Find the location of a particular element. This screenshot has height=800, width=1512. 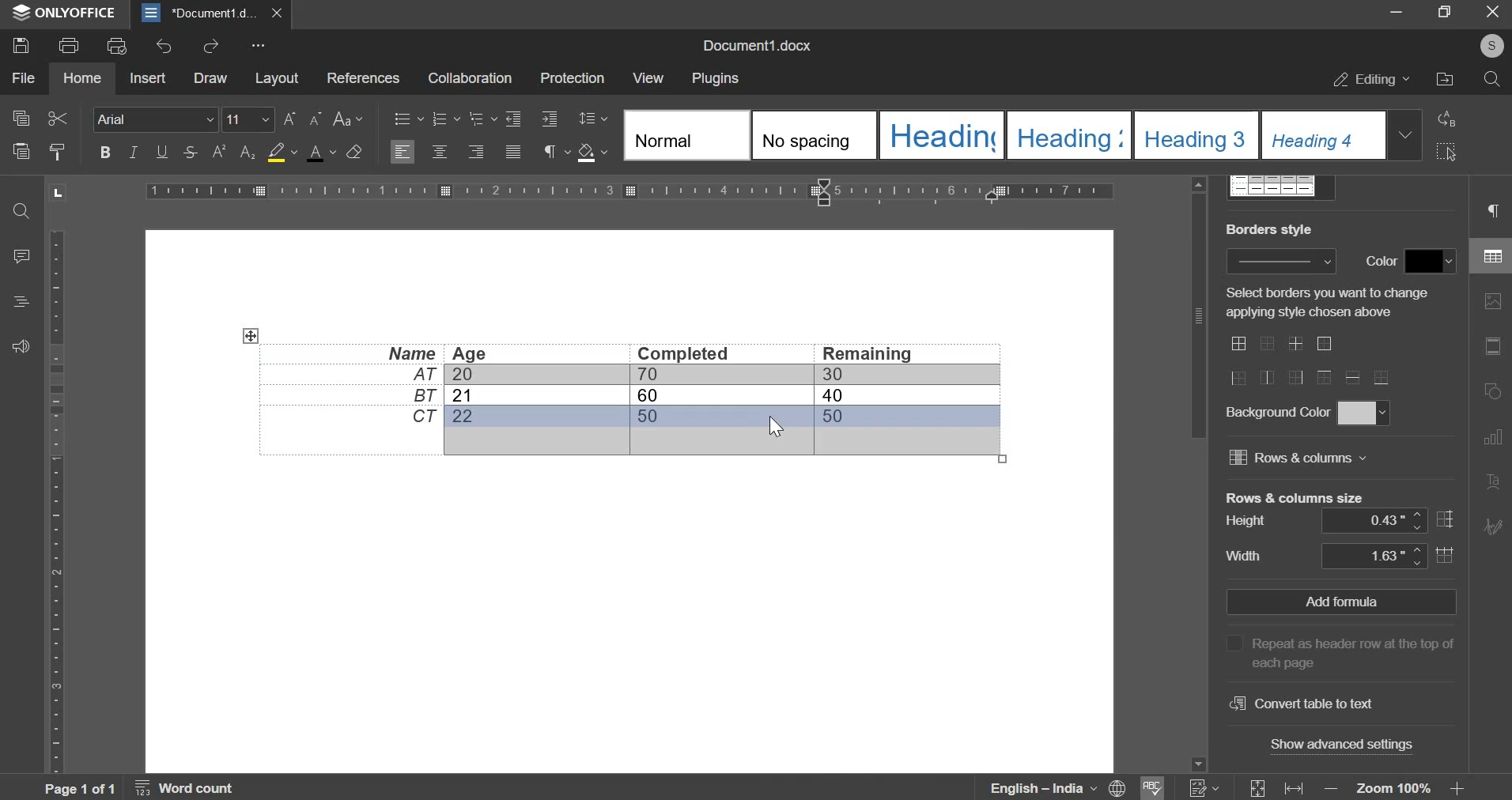

undo is located at coordinates (161, 46).